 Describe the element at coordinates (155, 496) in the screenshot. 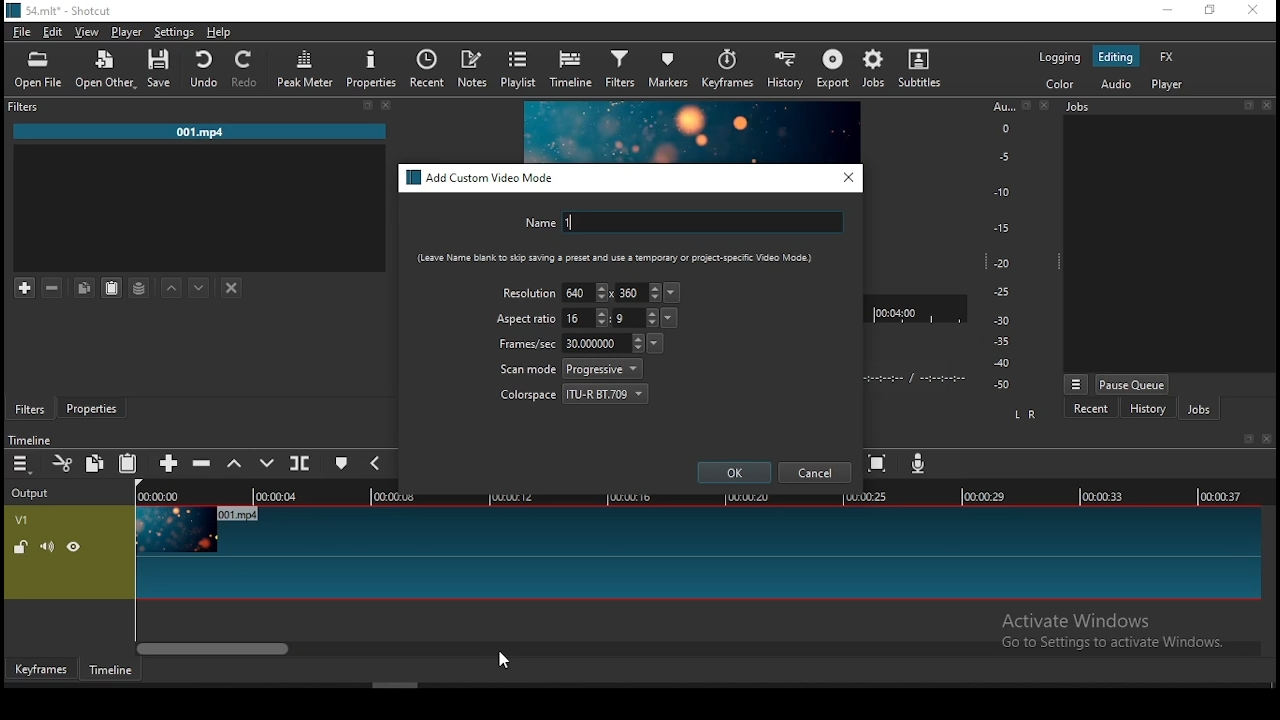

I see `00:00:00` at that location.